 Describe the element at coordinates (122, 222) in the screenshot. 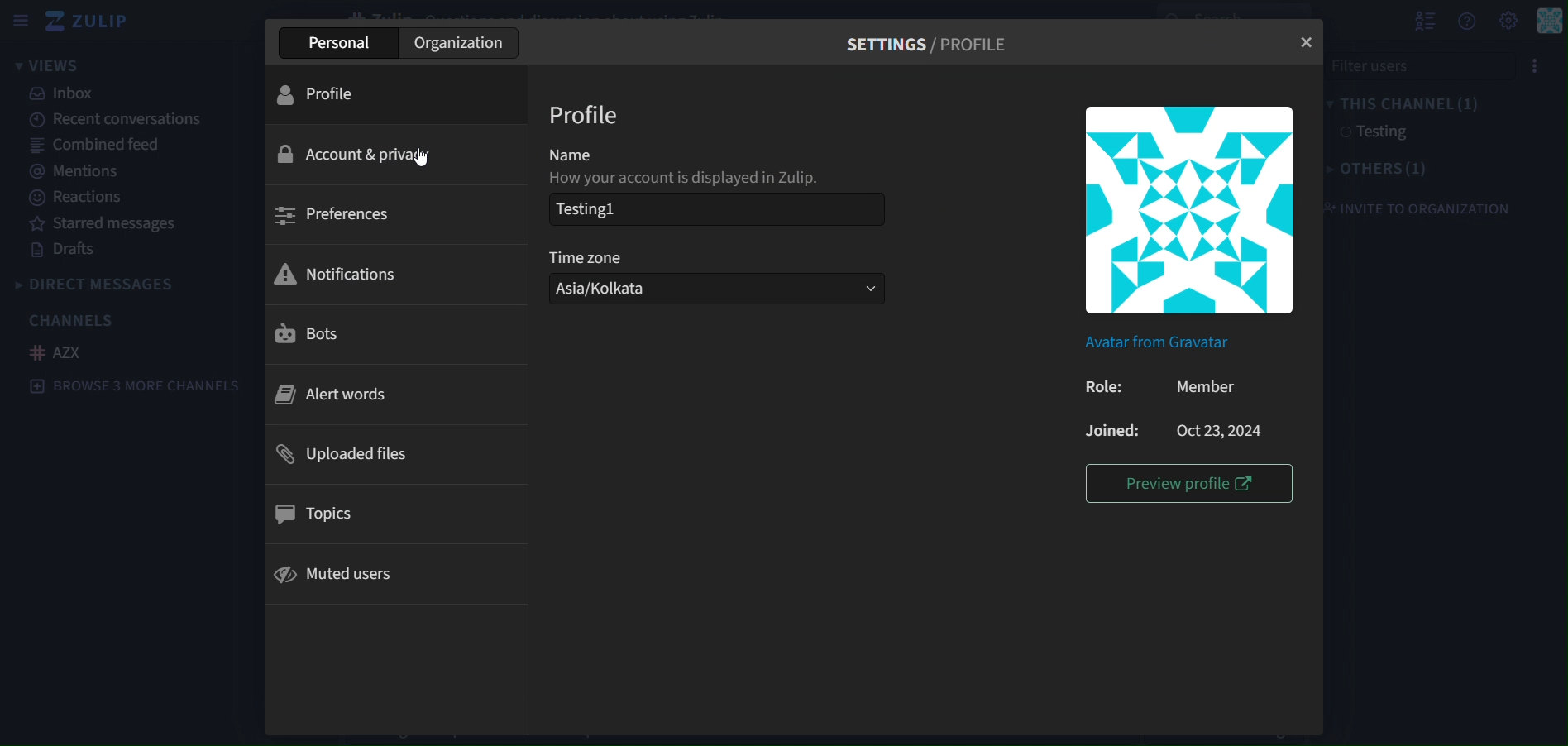

I see `starred messages` at that location.